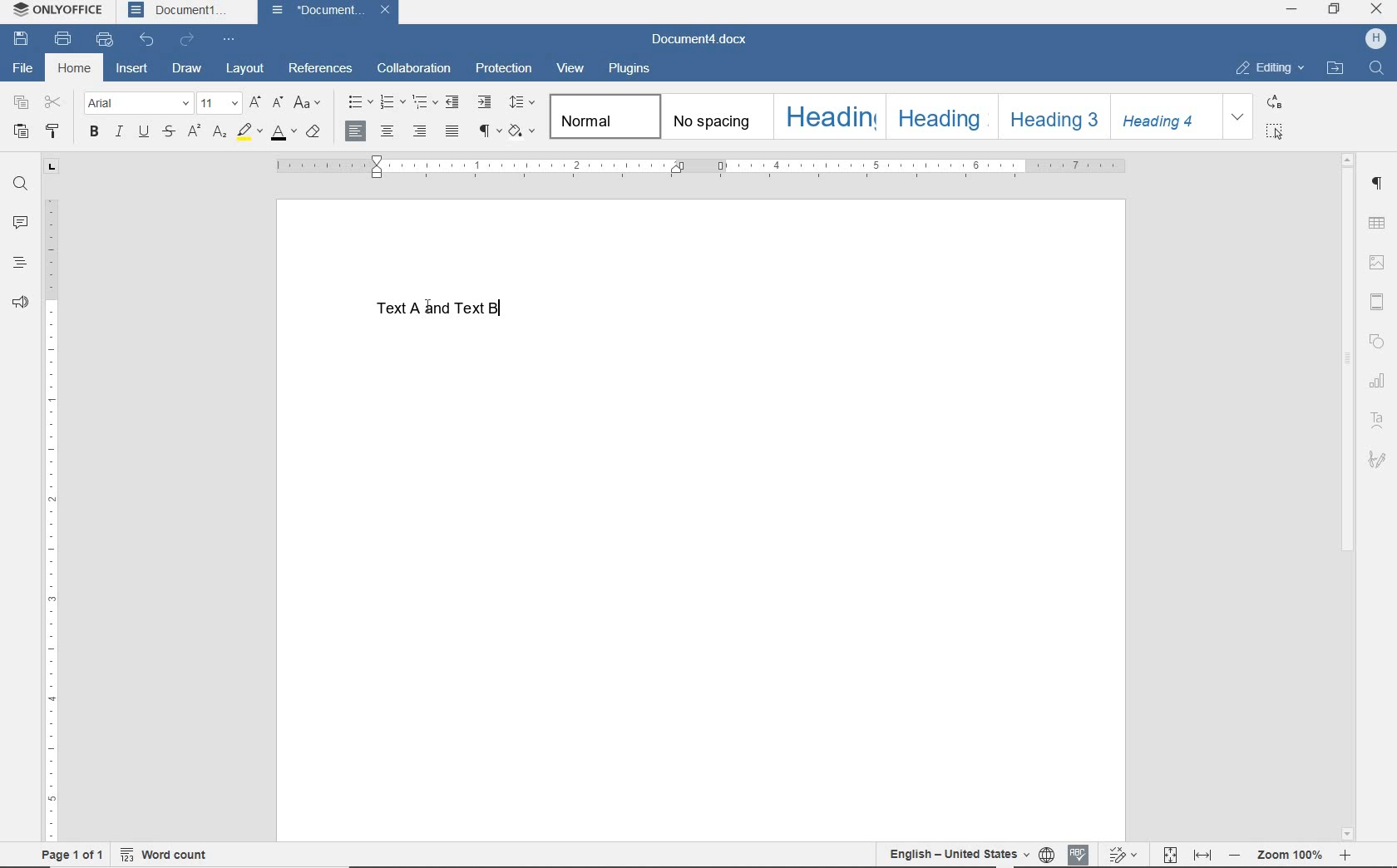 This screenshot has height=868, width=1397. I want to click on NONPRINTING CHARACTERS, so click(488, 133).